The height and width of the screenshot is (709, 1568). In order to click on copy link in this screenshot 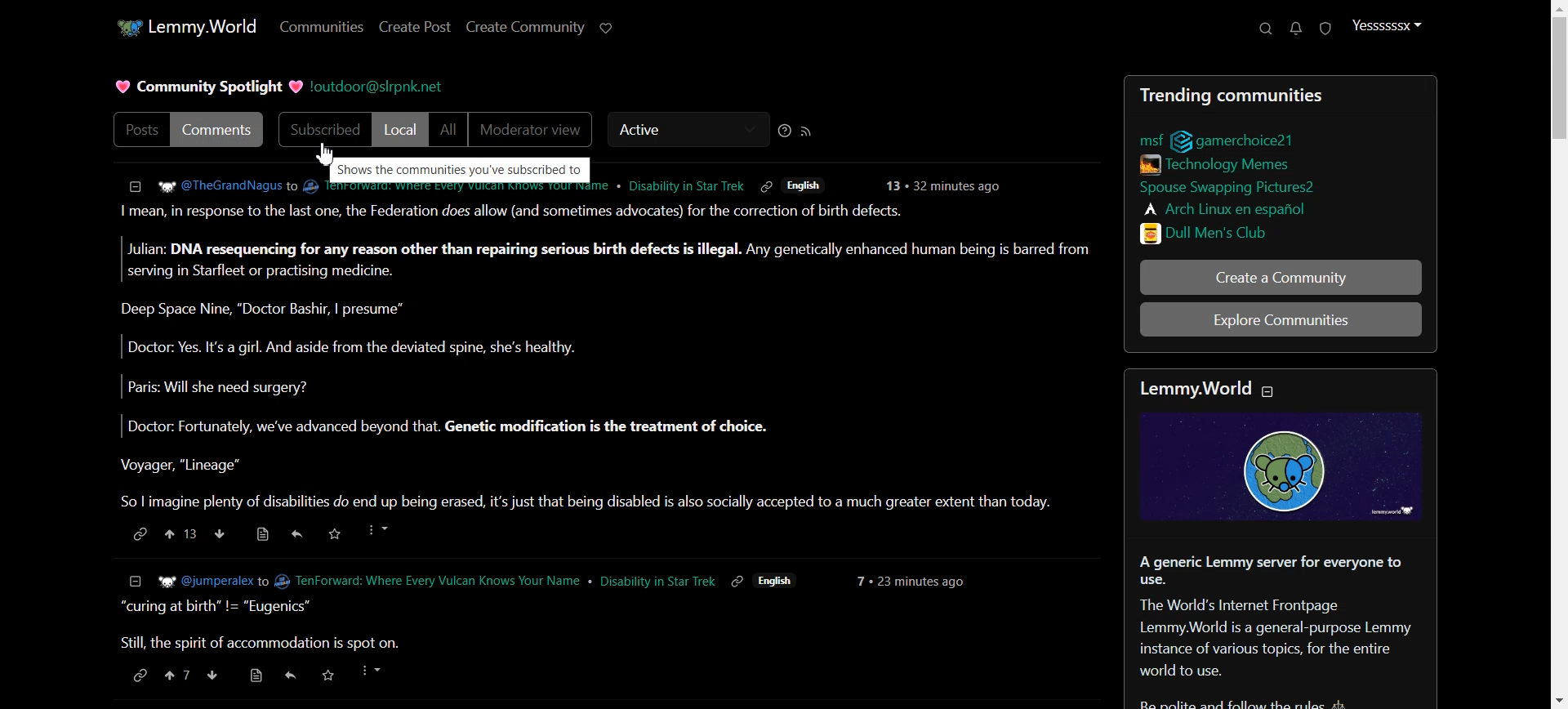, I will do `click(737, 581)`.